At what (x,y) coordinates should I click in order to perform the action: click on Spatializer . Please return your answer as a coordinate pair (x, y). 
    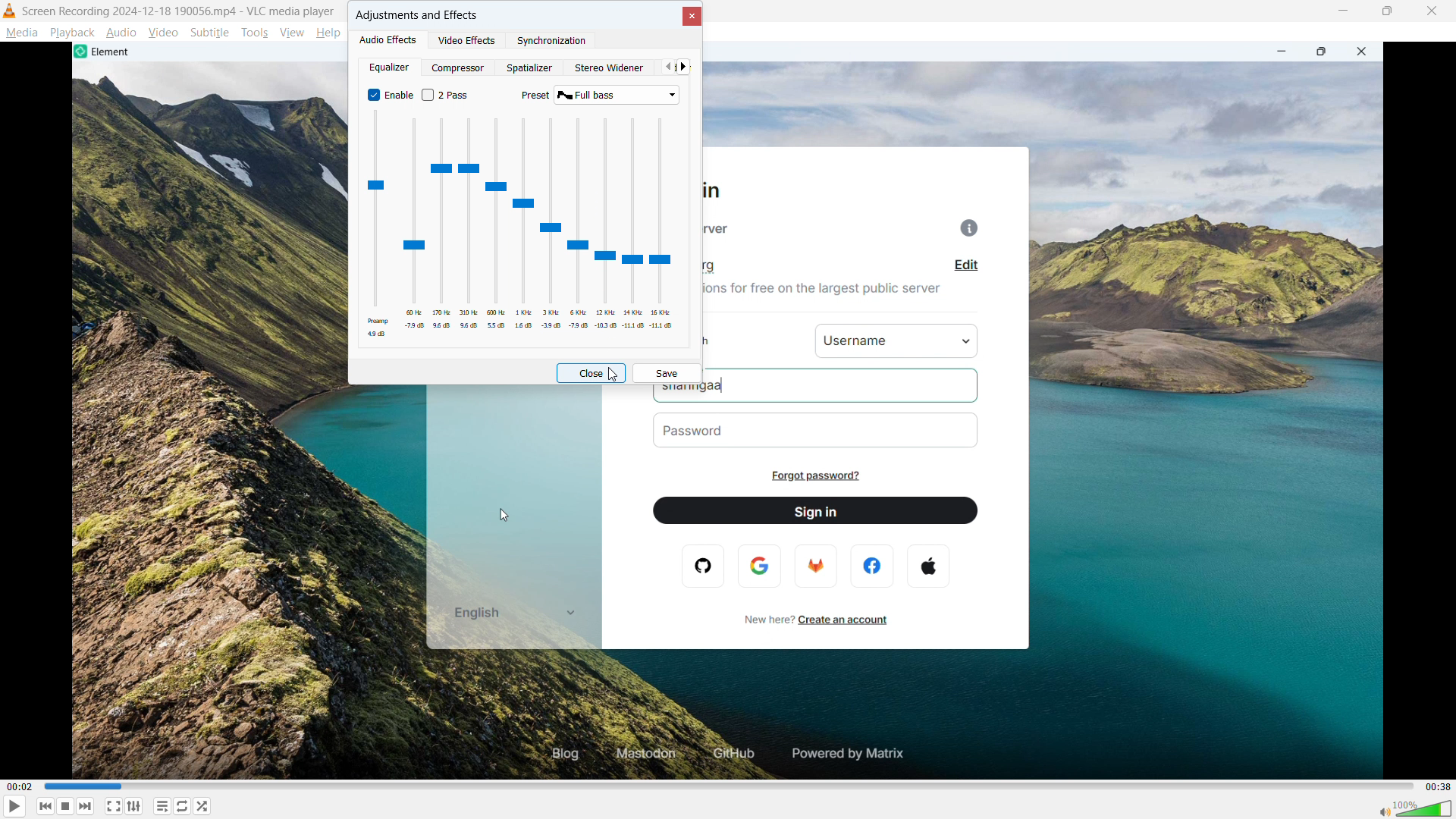
    Looking at the image, I should click on (530, 67).